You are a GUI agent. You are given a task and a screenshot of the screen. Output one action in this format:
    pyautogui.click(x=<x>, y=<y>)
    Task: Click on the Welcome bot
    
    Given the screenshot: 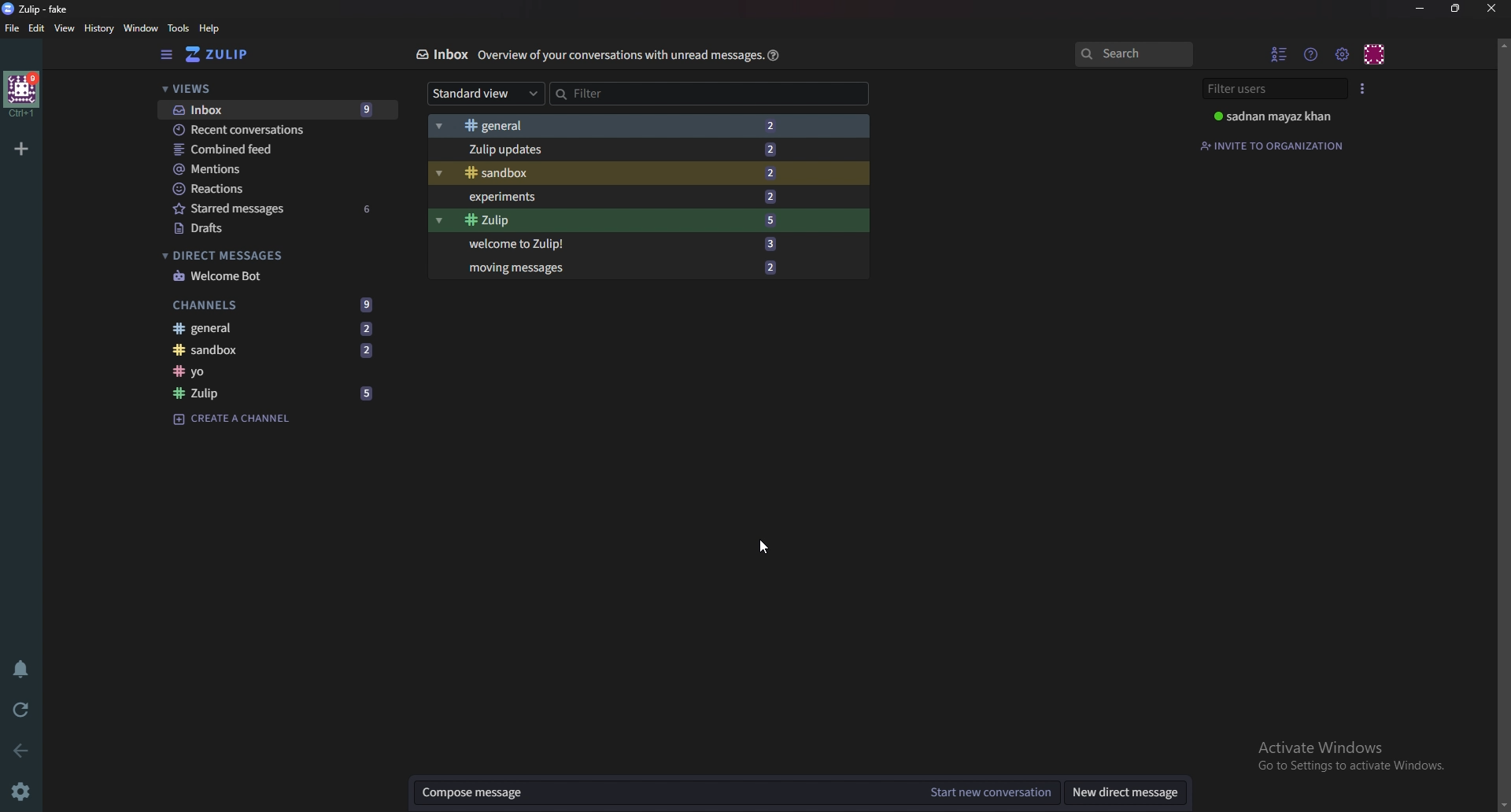 What is the action you would take?
    pyautogui.click(x=263, y=278)
    